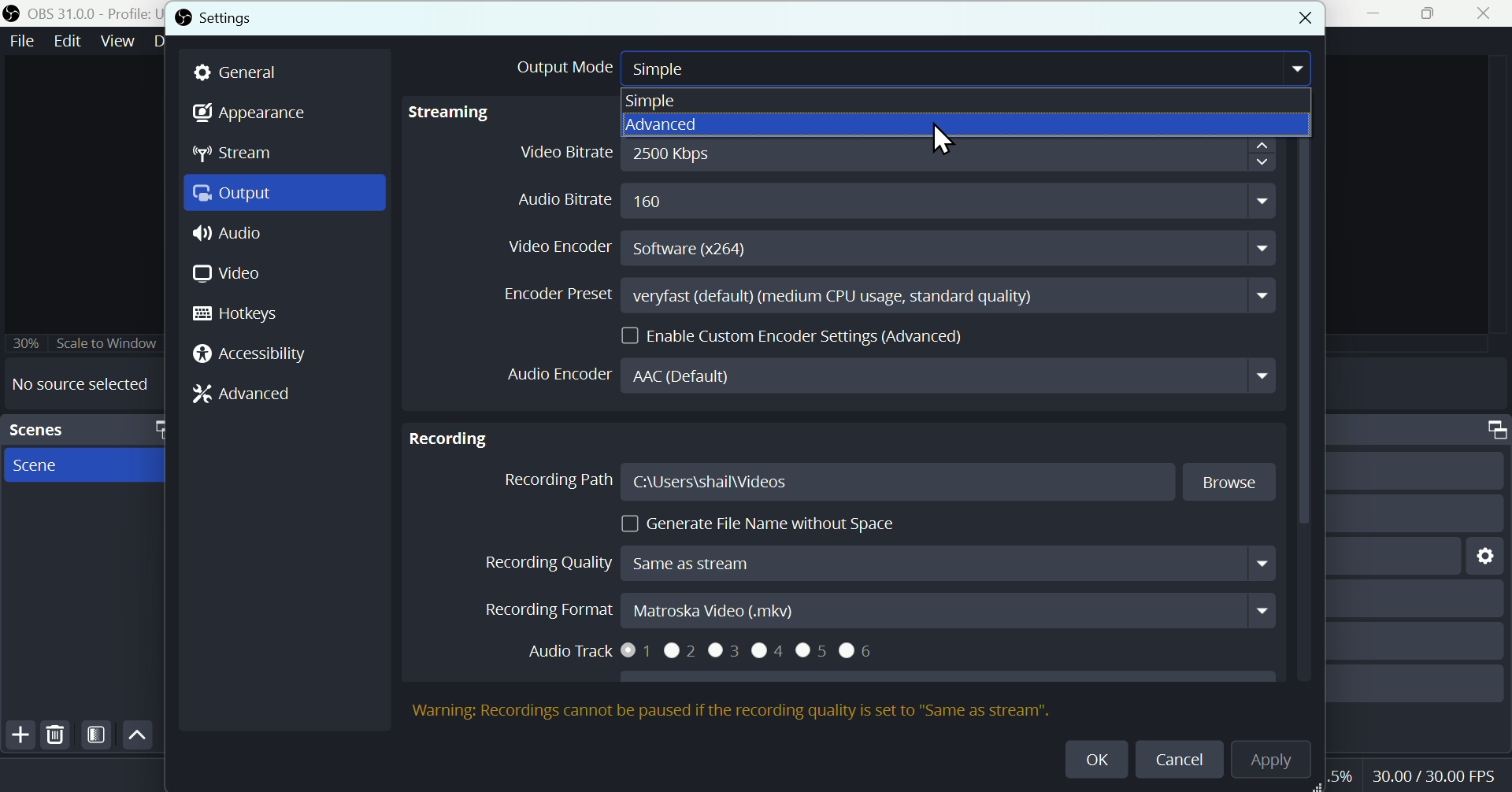 Image resolution: width=1512 pixels, height=792 pixels. I want to click on up, so click(138, 734).